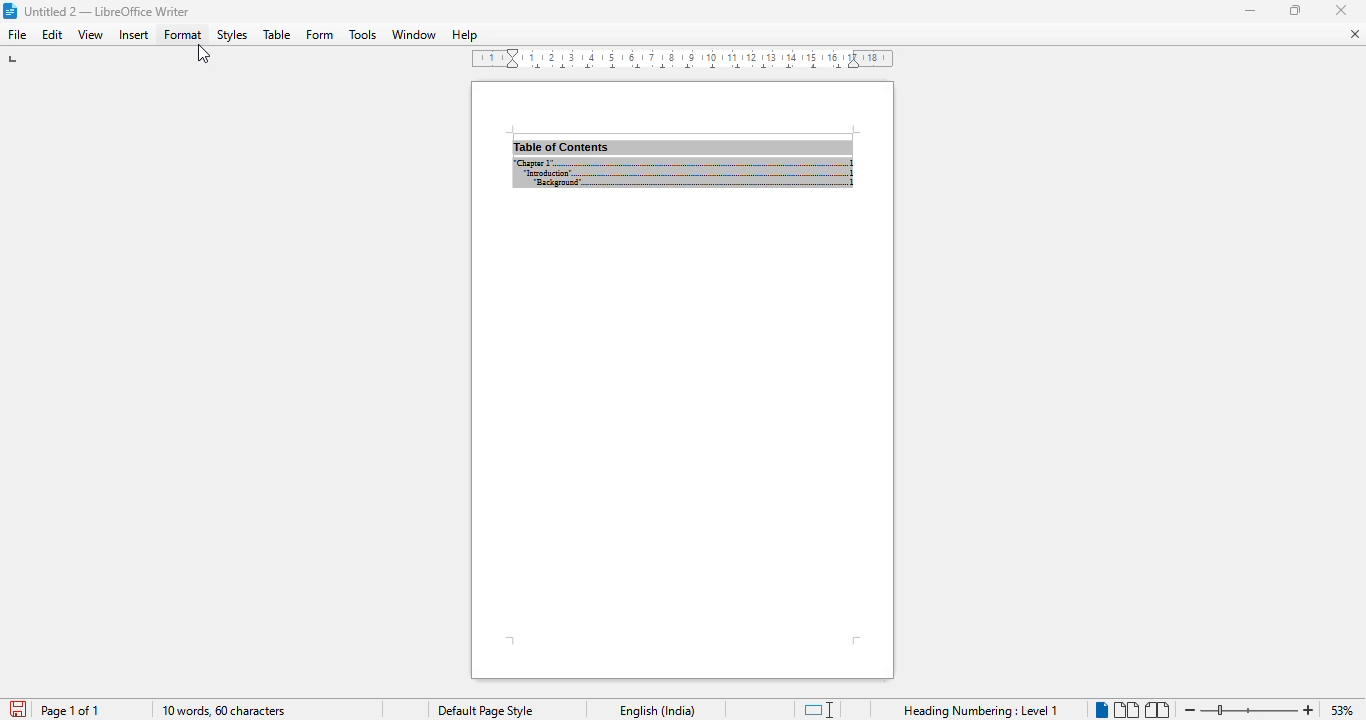 The height and width of the screenshot is (720, 1366). What do you see at coordinates (1251, 10) in the screenshot?
I see `minimize` at bounding box center [1251, 10].